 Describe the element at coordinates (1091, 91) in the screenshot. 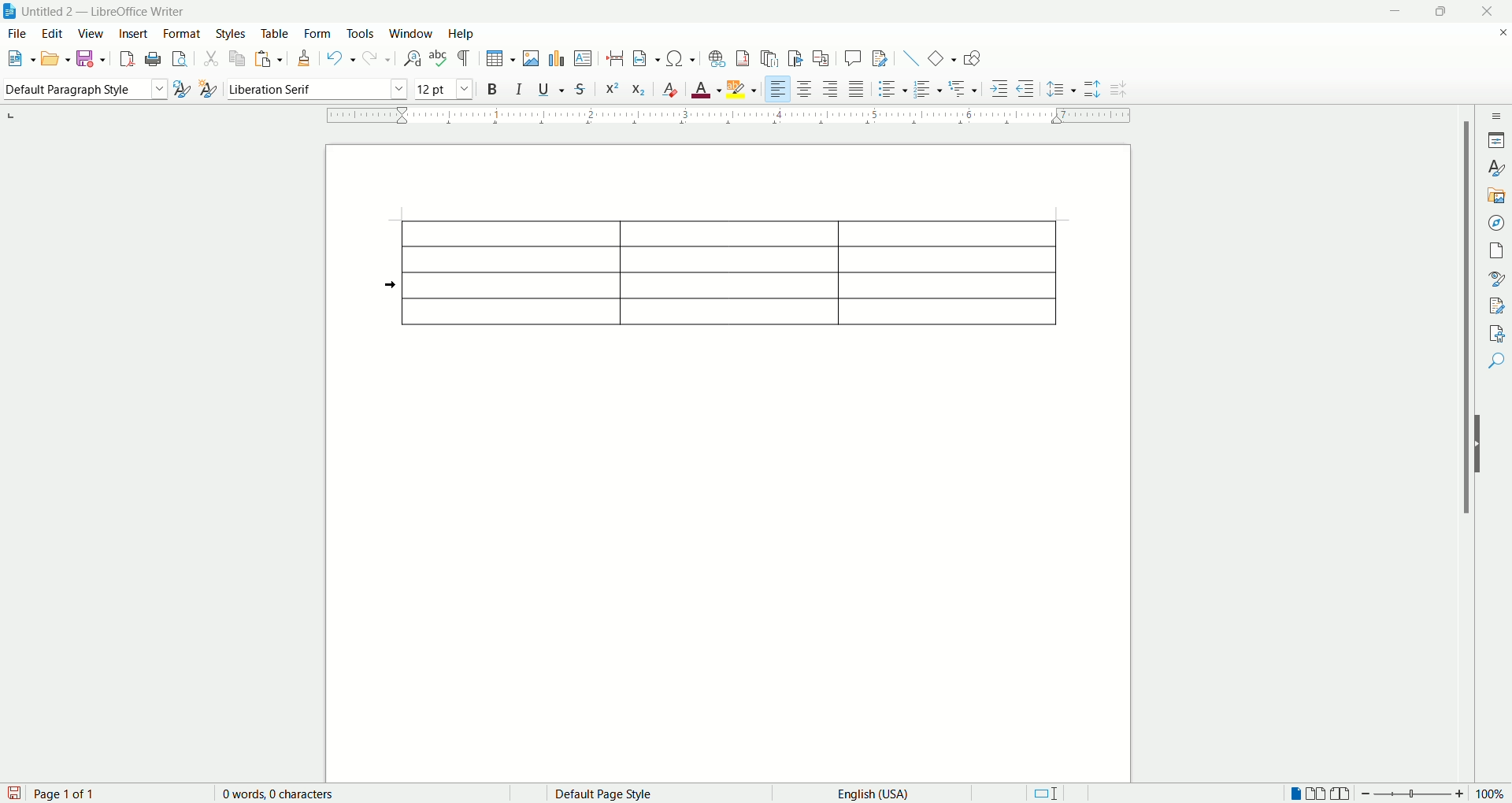

I see `increase line spacing` at that location.